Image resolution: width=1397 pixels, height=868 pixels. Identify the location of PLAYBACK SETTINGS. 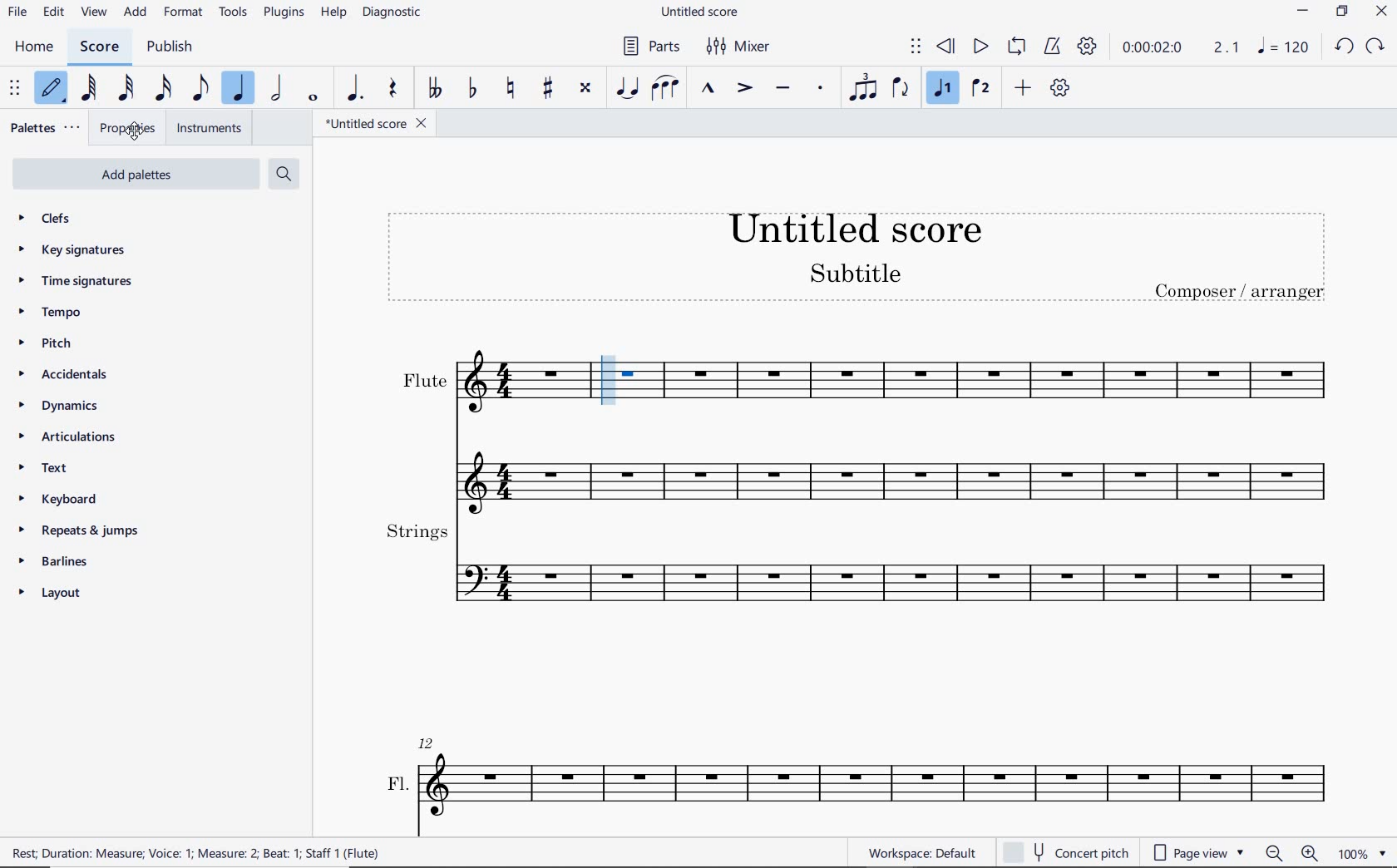
(1088, 49).